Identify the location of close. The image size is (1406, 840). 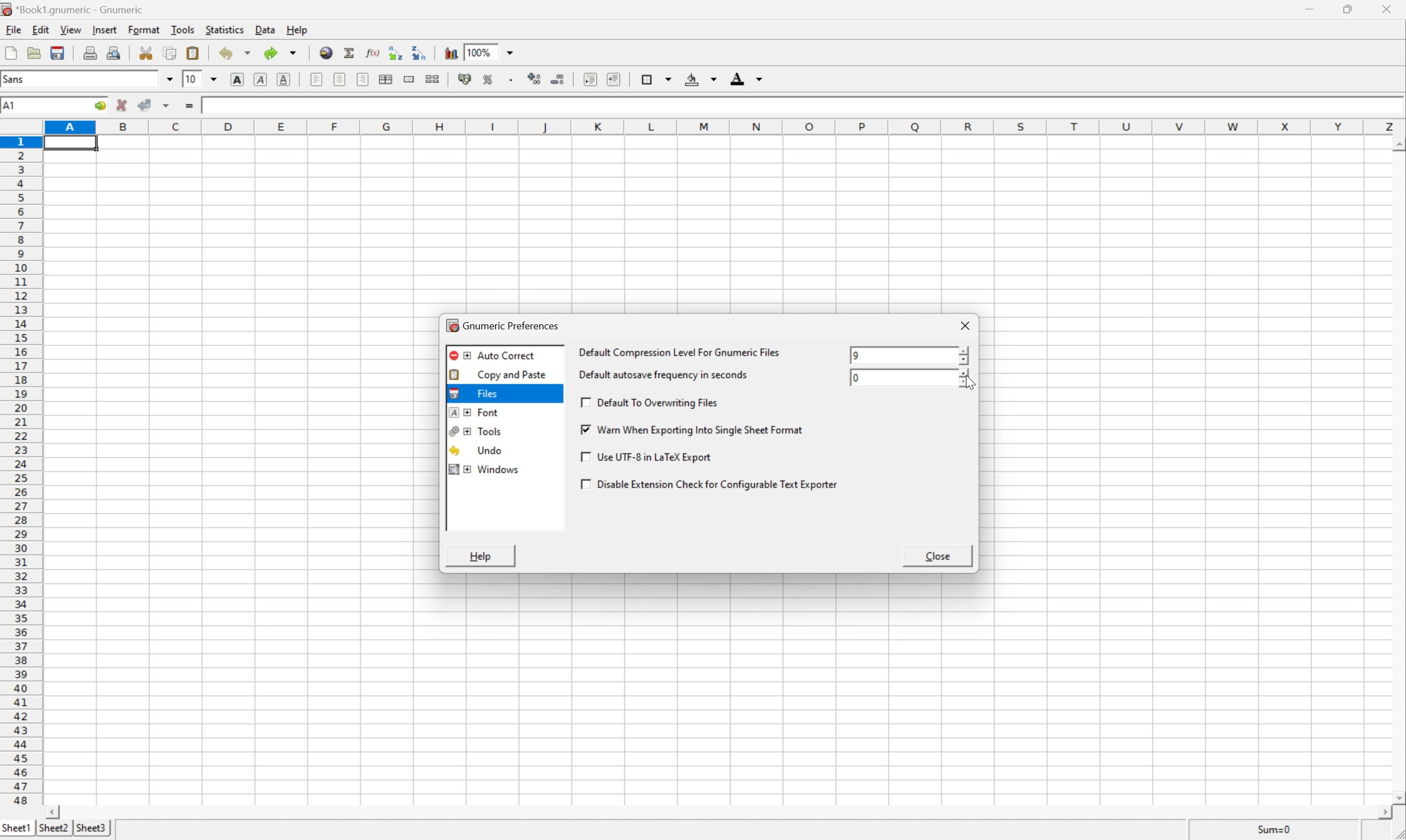
(937, 558).